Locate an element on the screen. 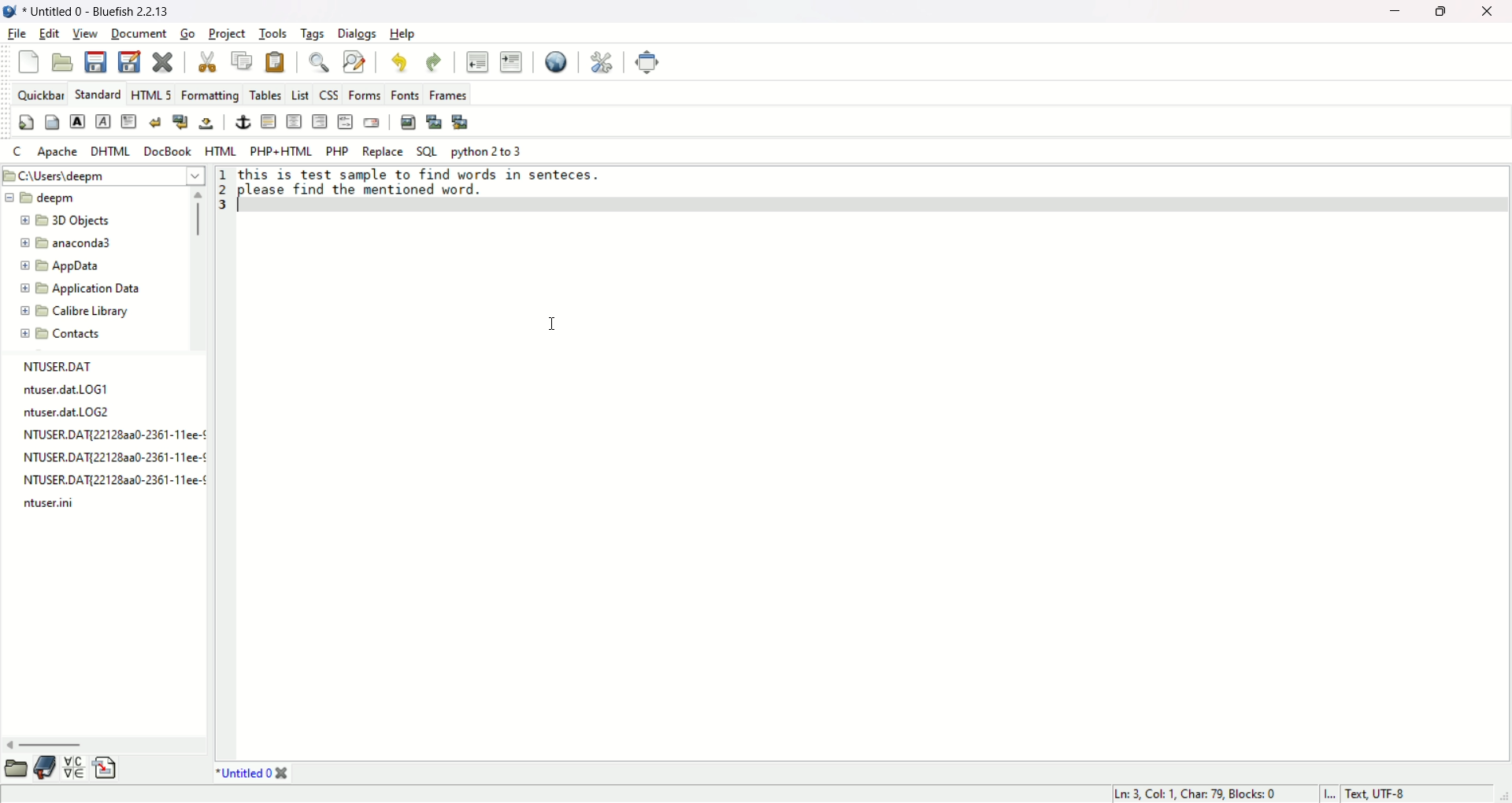 This screenshot has height=803, width=1512. break and clear is located at coordinates (179, 123).